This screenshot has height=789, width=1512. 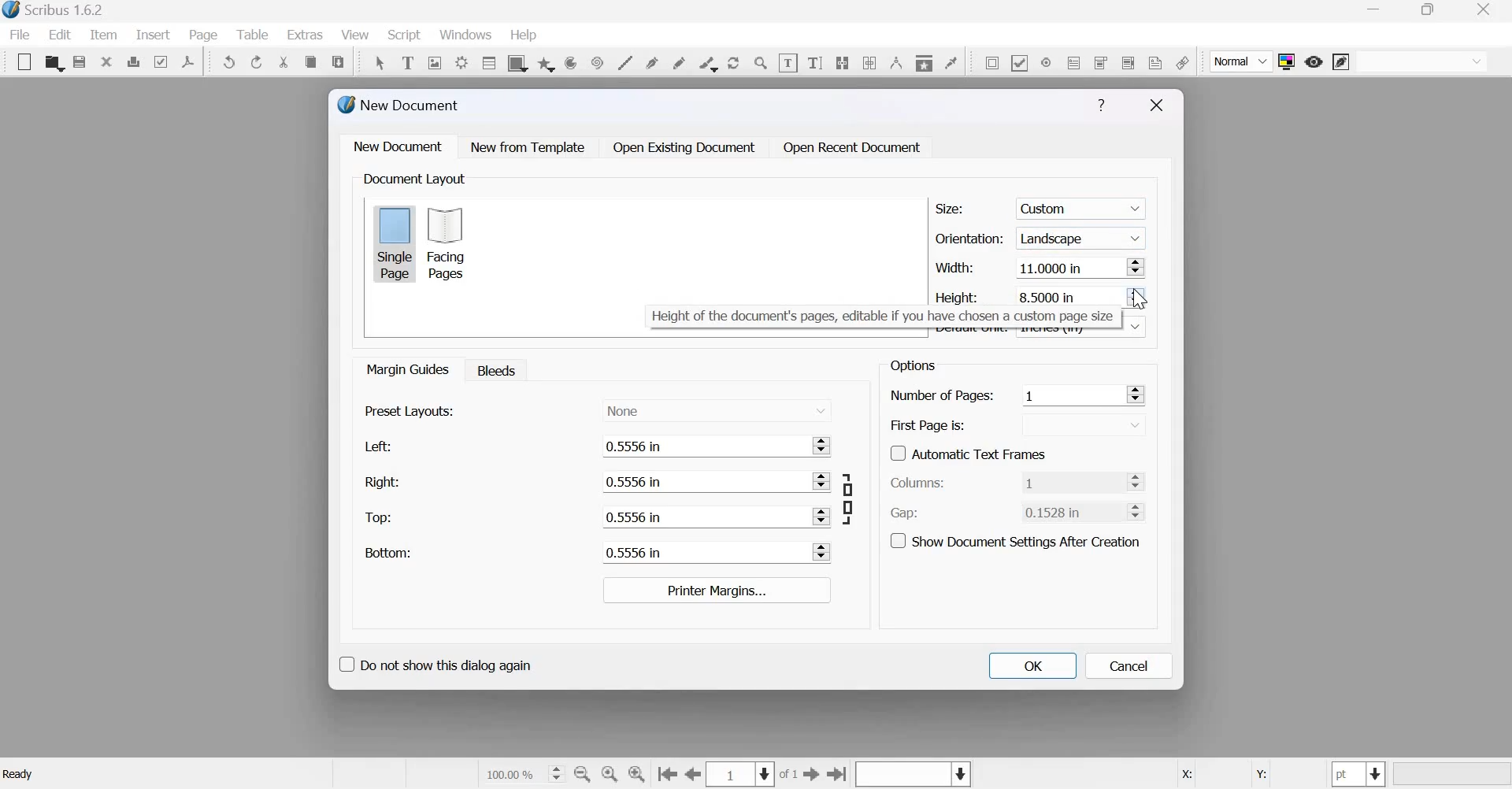 I want to click on Increase and Decrease, so click(x=823, y=481).